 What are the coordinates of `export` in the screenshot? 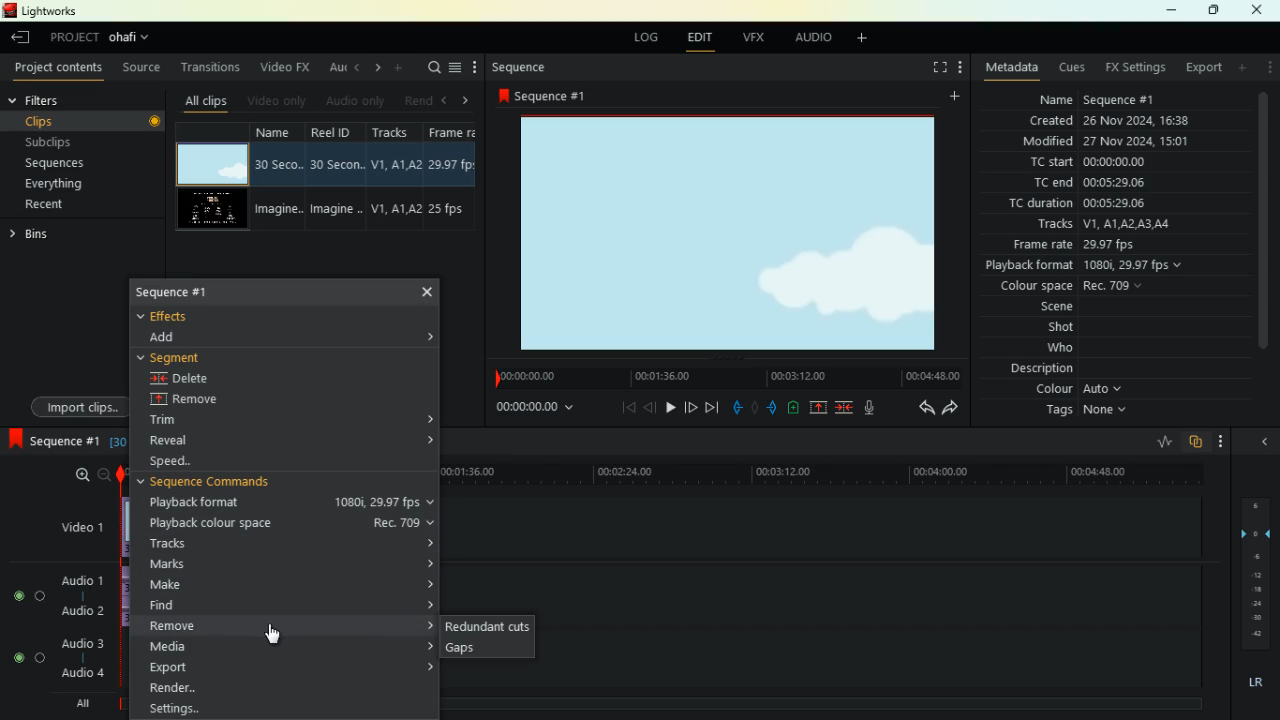 It's located at (1201, 70).